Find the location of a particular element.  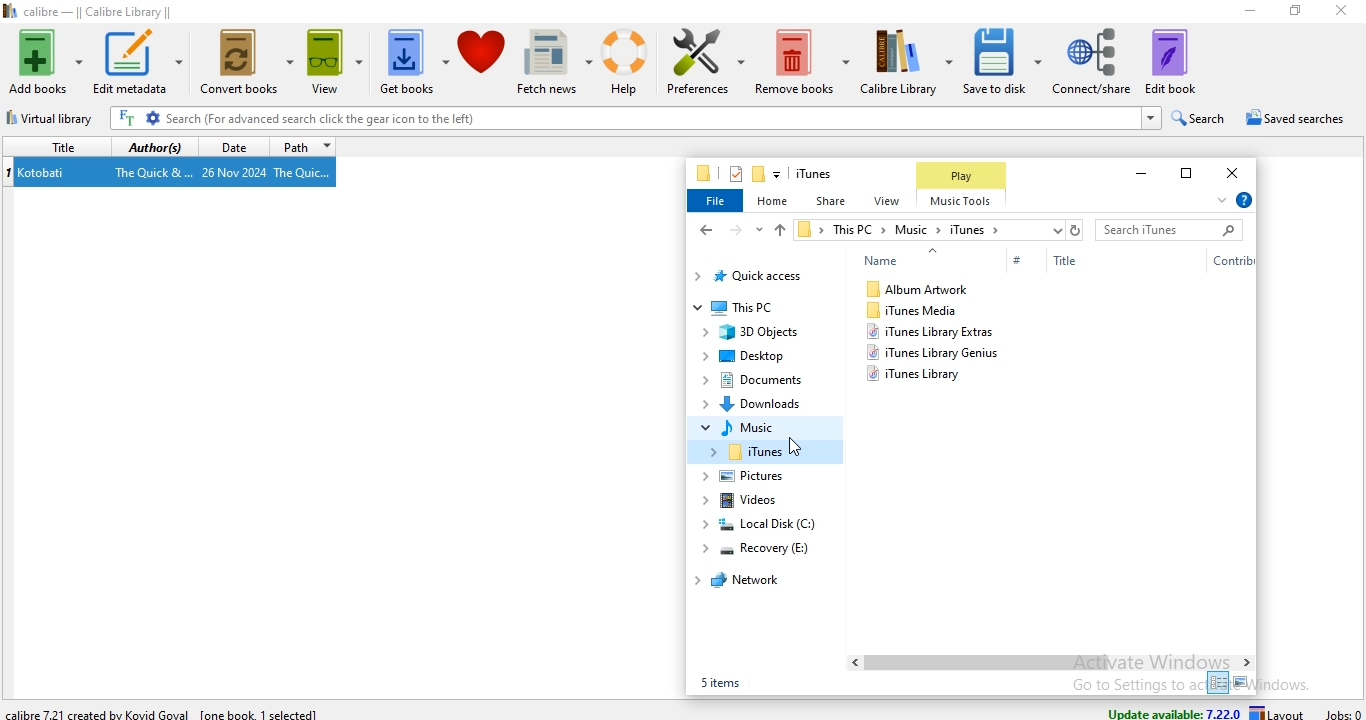

view is located at coordinates (890, 201).